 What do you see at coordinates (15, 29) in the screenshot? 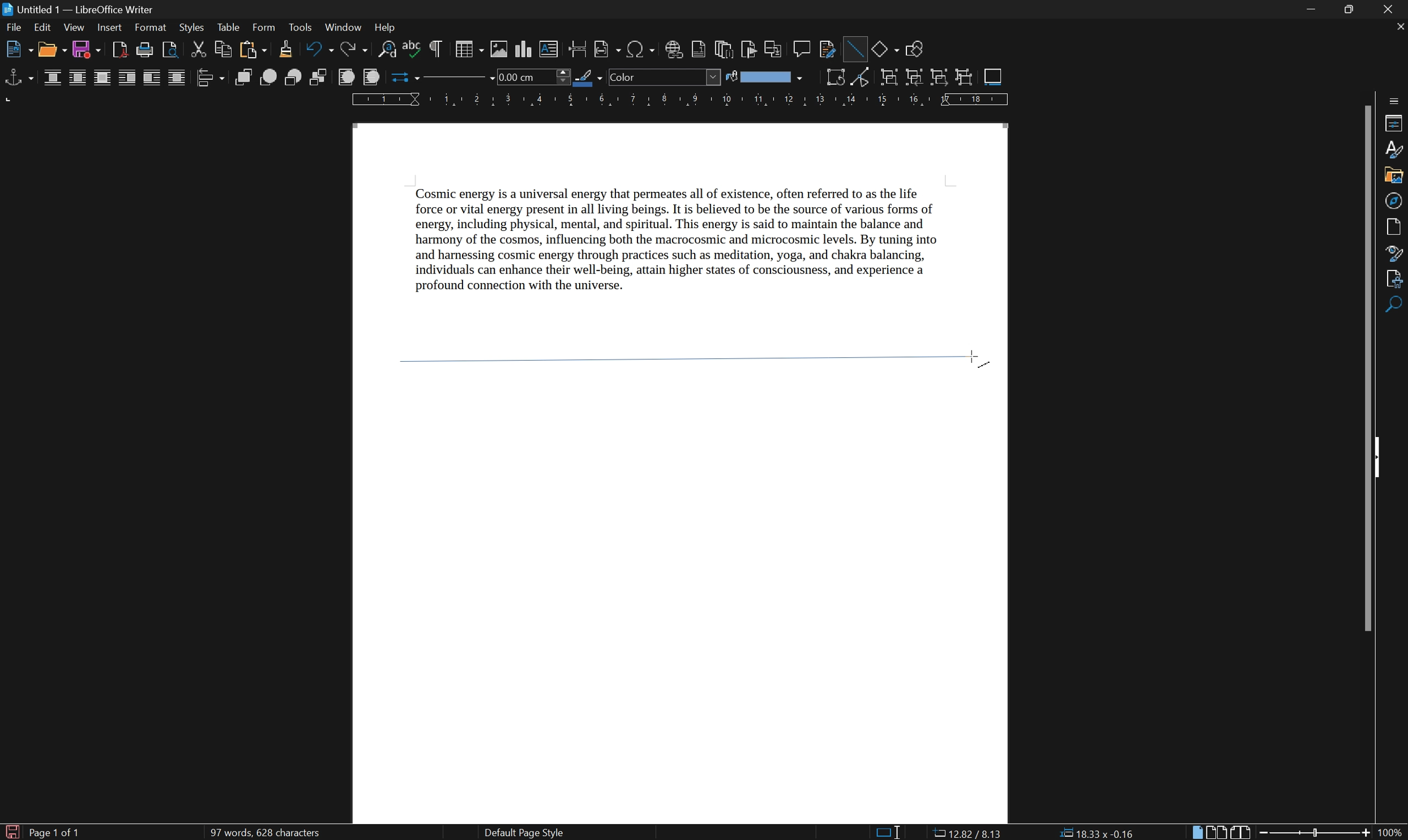
I see `file` at bounding box center [15, 29].